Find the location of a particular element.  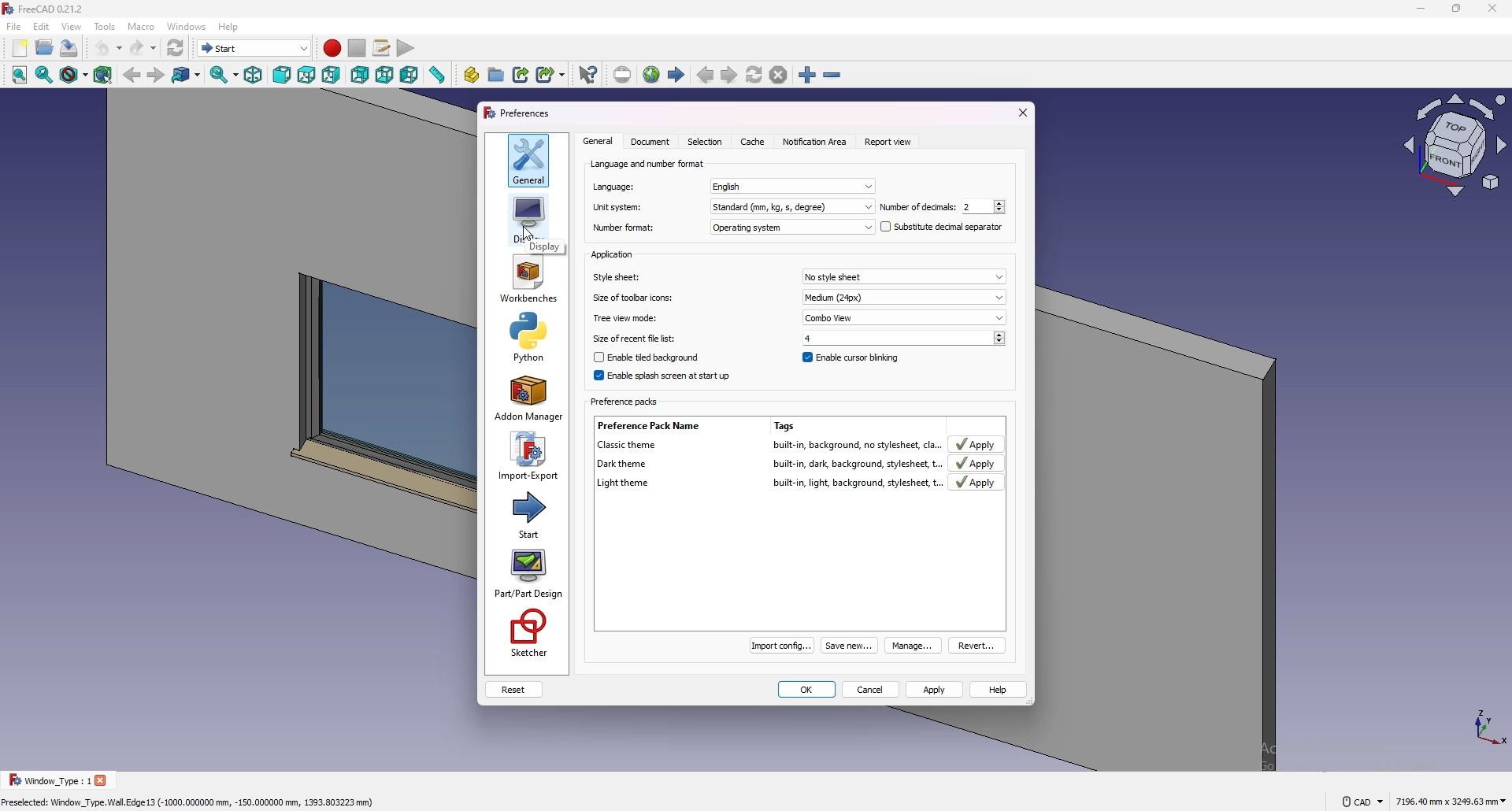

Dark theme is located at coordinates (621, 464).